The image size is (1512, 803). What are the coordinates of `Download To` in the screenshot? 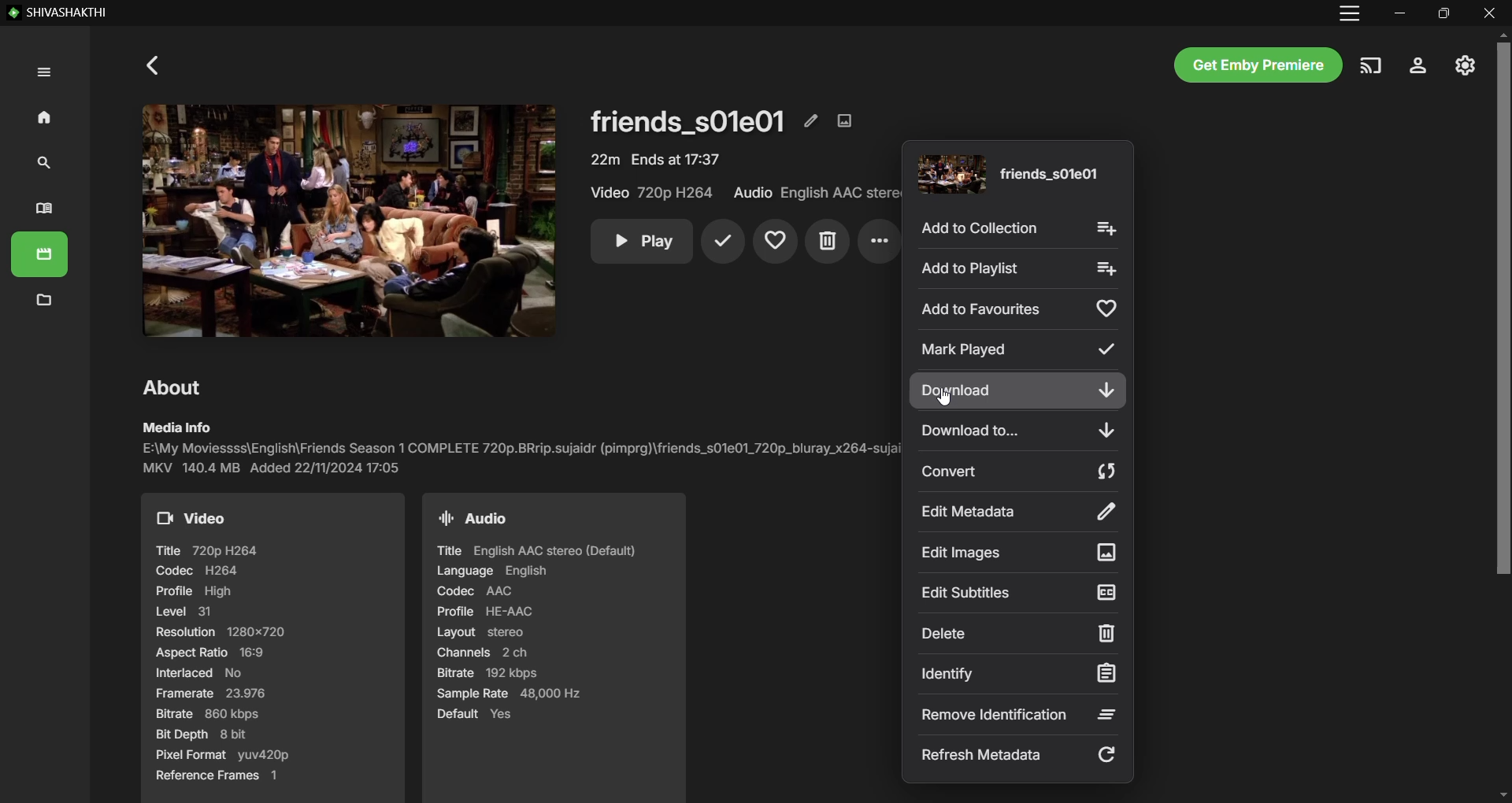 It's located at (1014, 431).